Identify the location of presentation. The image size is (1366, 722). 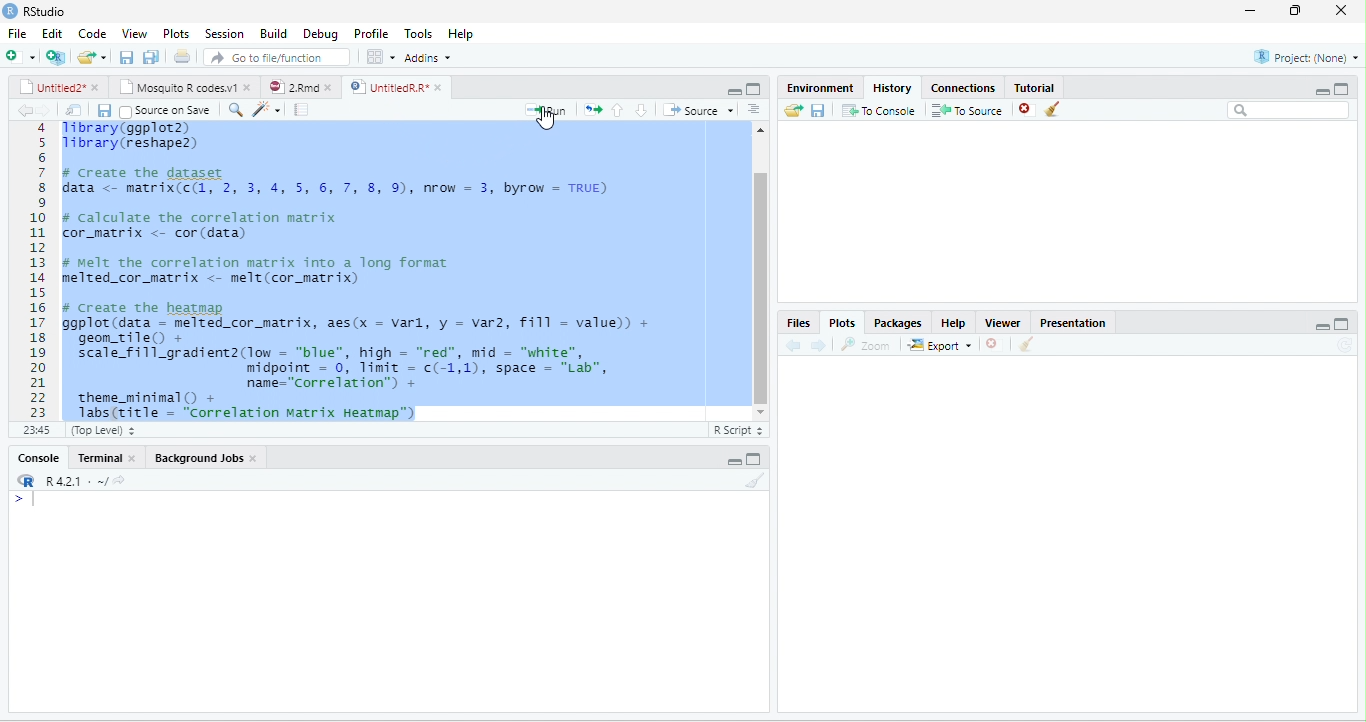
(1077, 320).